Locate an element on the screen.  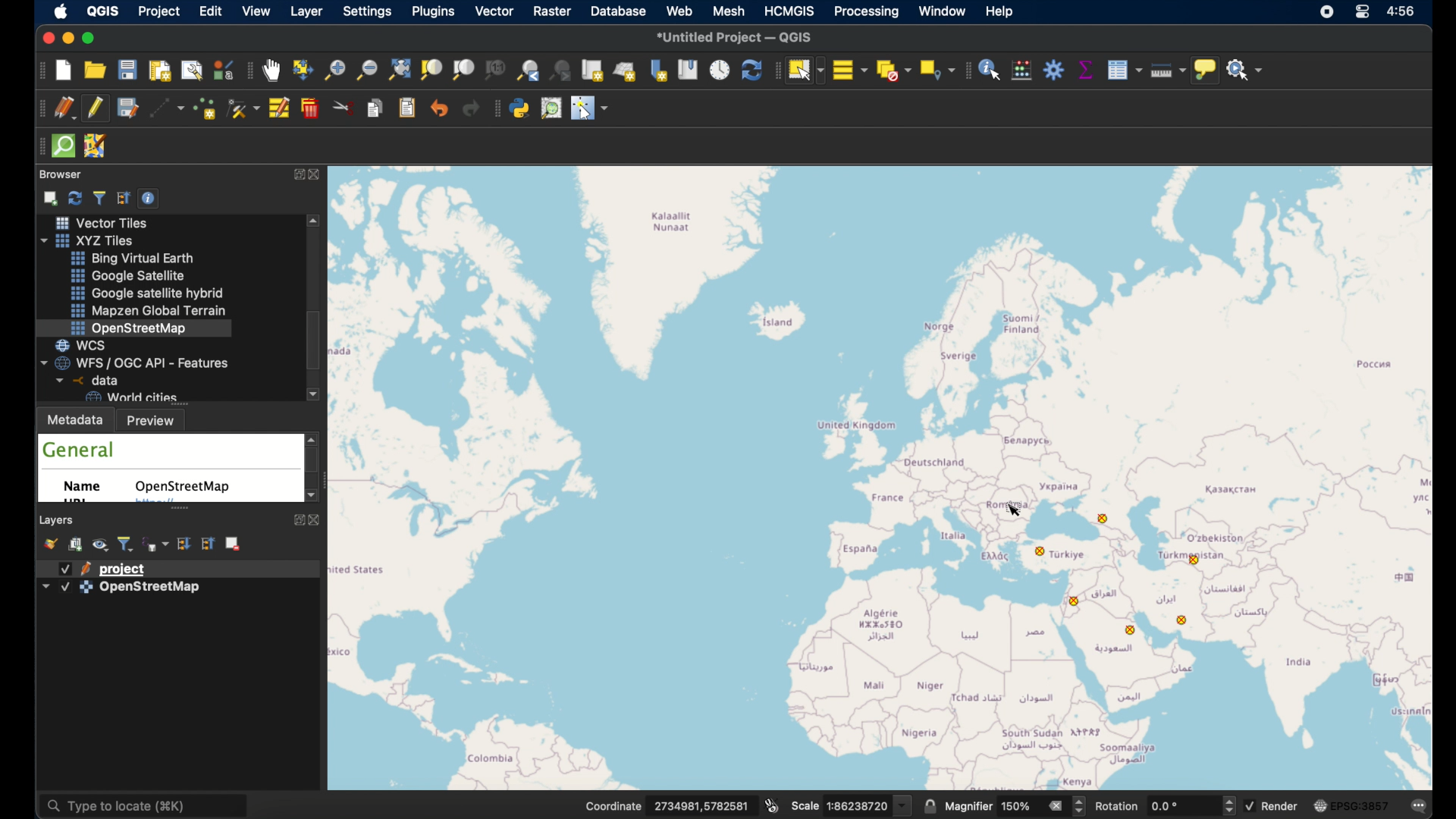
expand all is located at coordinates (184, 543).